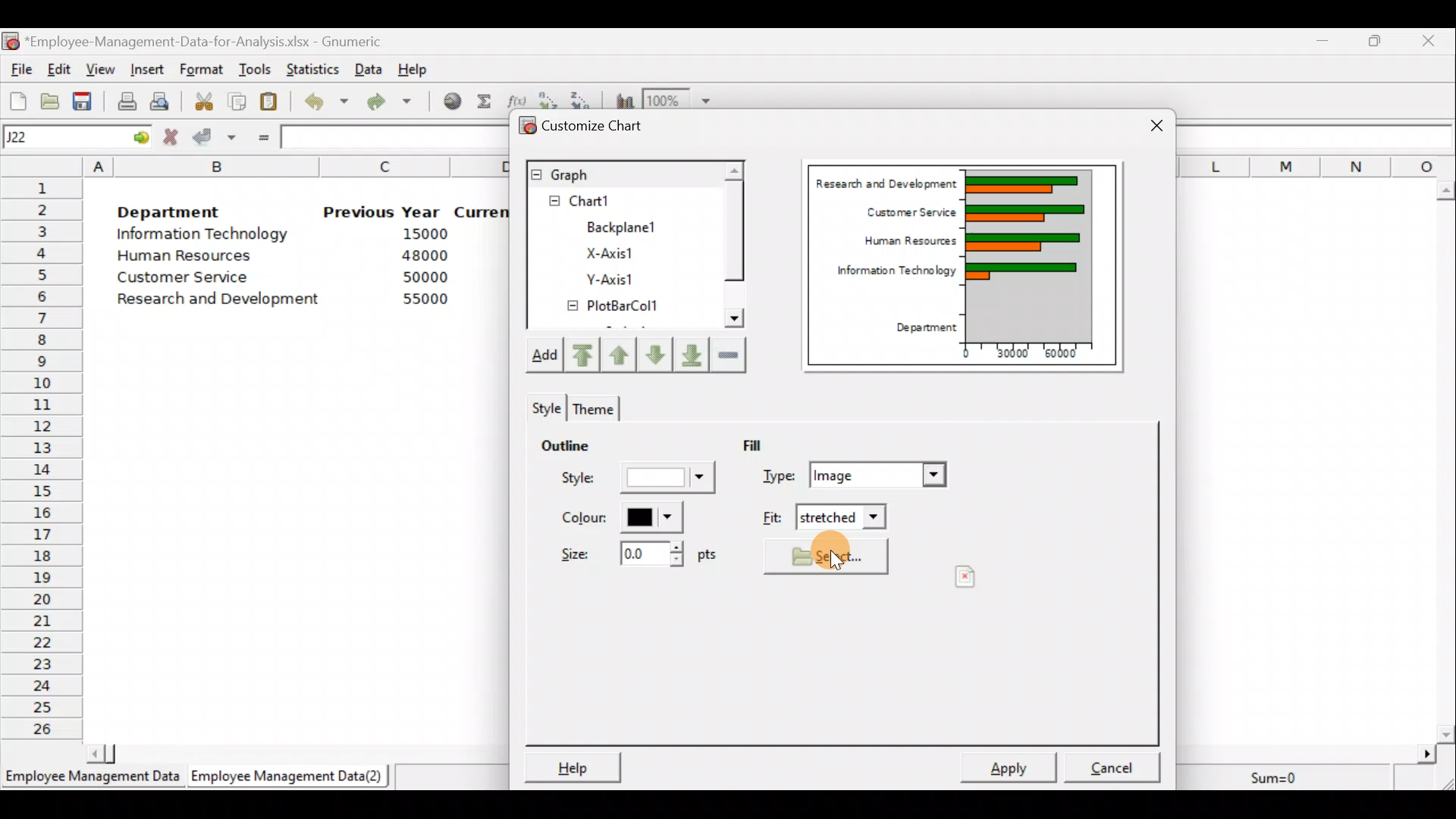 This screenshot has height=819, width=1456. What do you see at coordinates (1010, 767) in the screenshot?
I see `Apply` at bounding box center [1010, 767].